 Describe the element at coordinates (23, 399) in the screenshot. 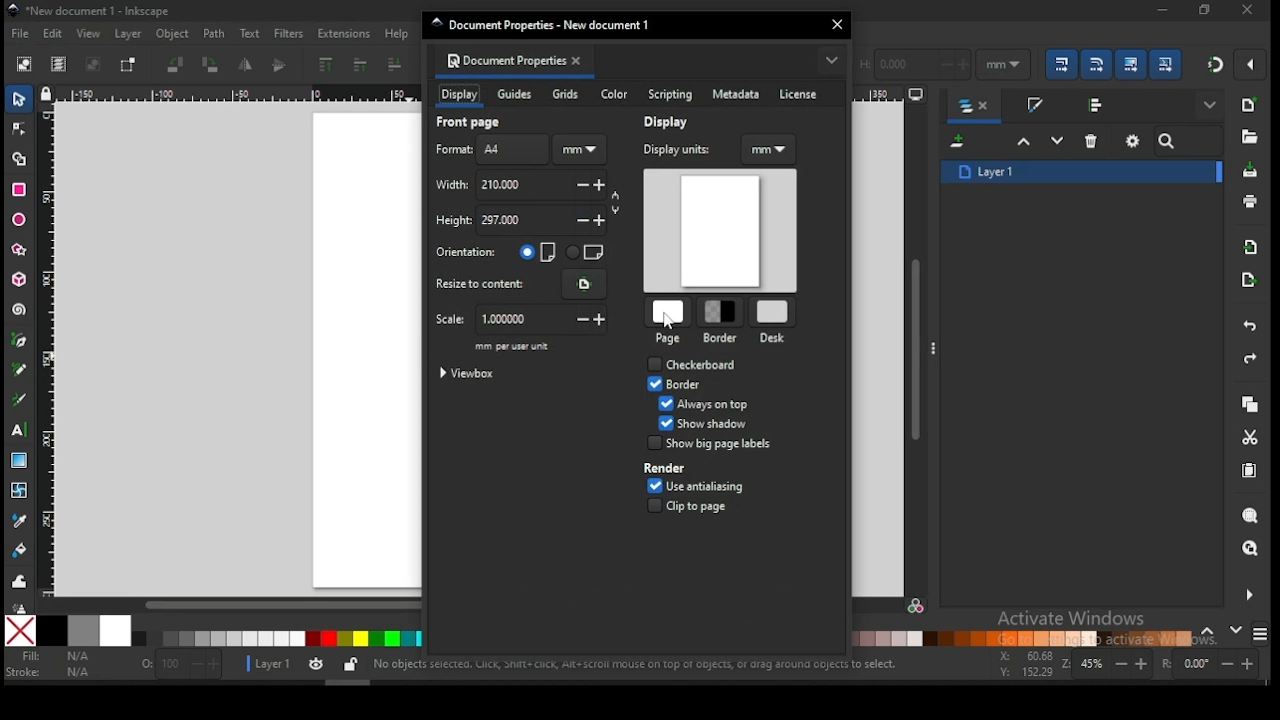

I see `calligraphy tool` at that location.